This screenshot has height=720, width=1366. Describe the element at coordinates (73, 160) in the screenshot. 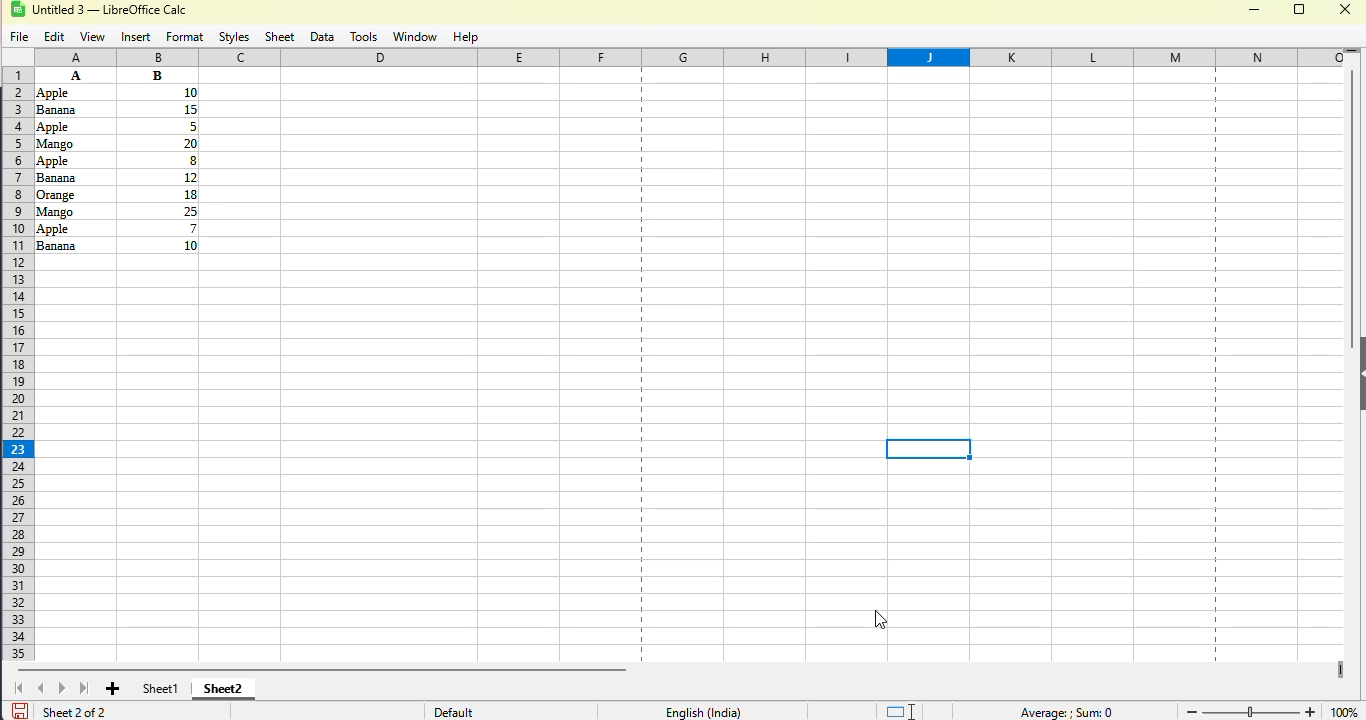

I see `` at that location.